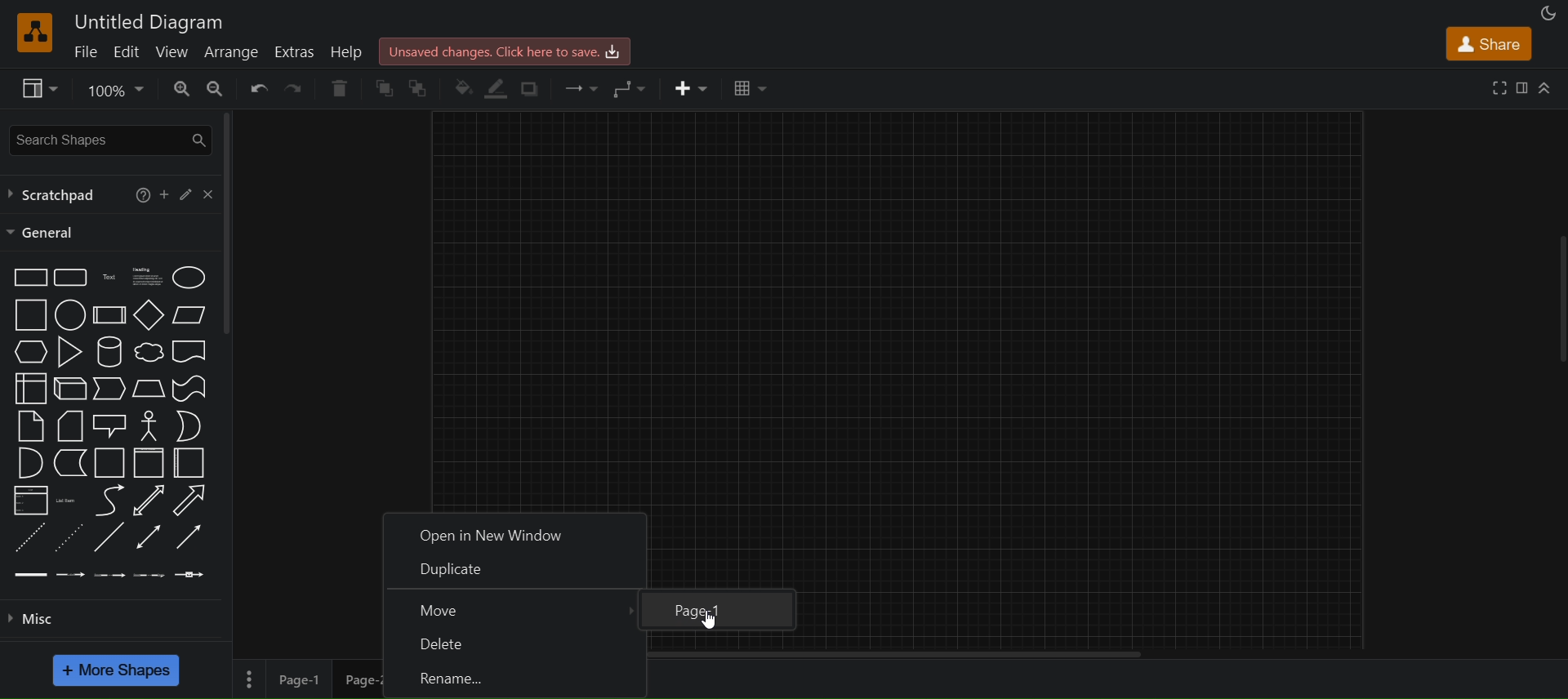 This screenshot has height=699, width=1568. I want to click on search shapes, so click(108, 137).